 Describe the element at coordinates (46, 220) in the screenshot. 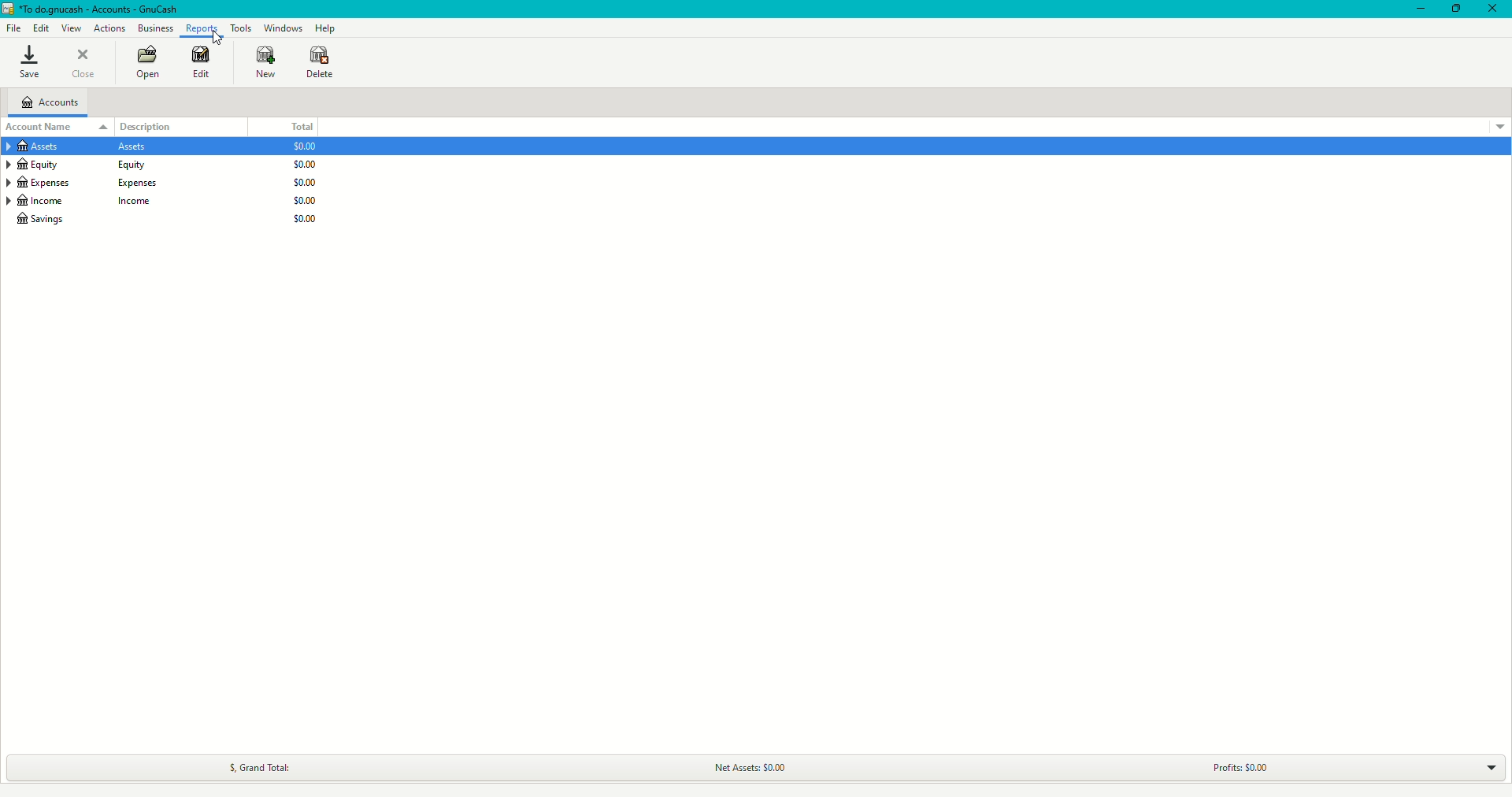

I see `Savings` at that location.